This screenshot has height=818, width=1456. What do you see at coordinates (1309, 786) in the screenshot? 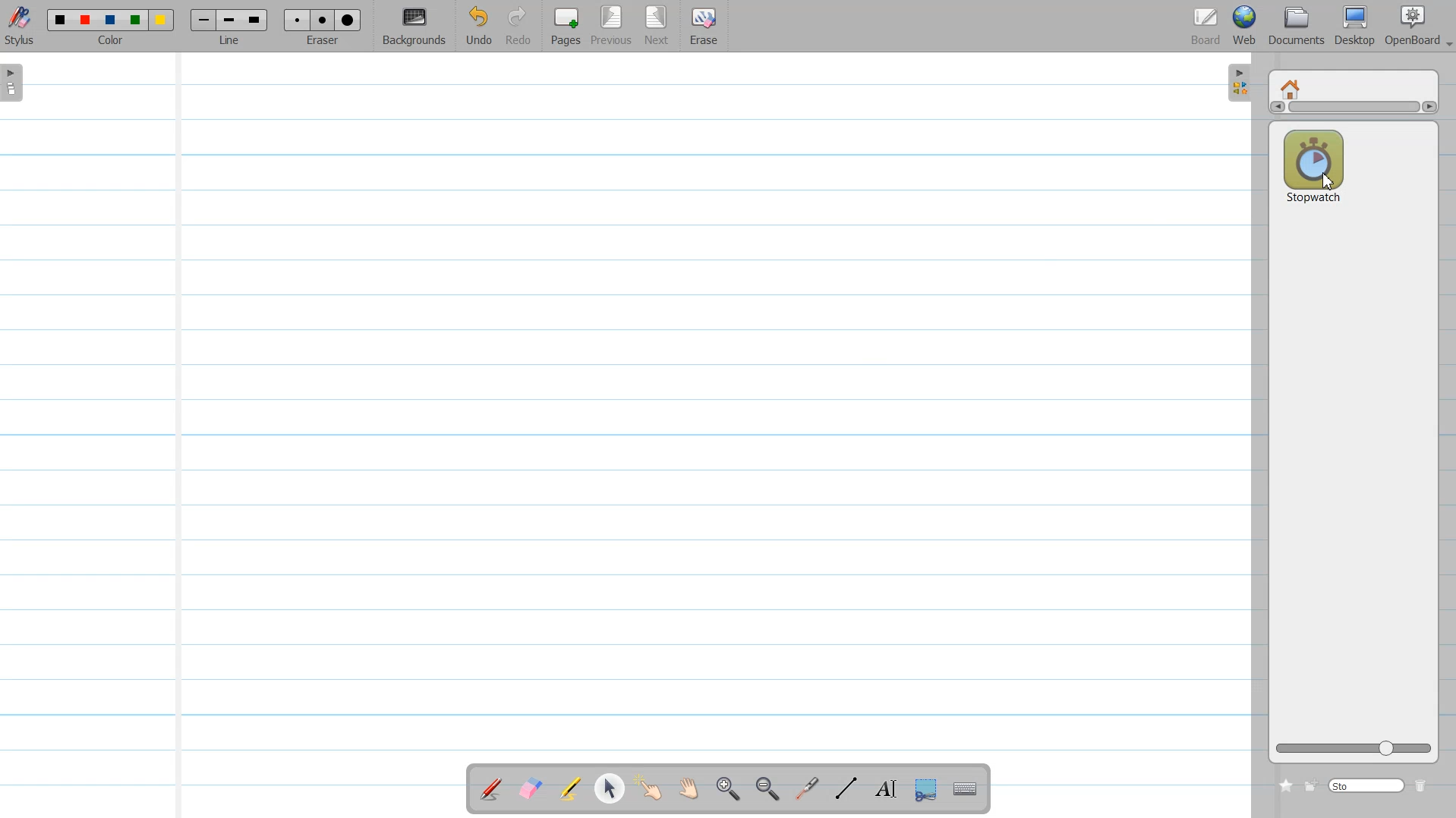
I see `Create new folder` at bounding box center [1309, 786].